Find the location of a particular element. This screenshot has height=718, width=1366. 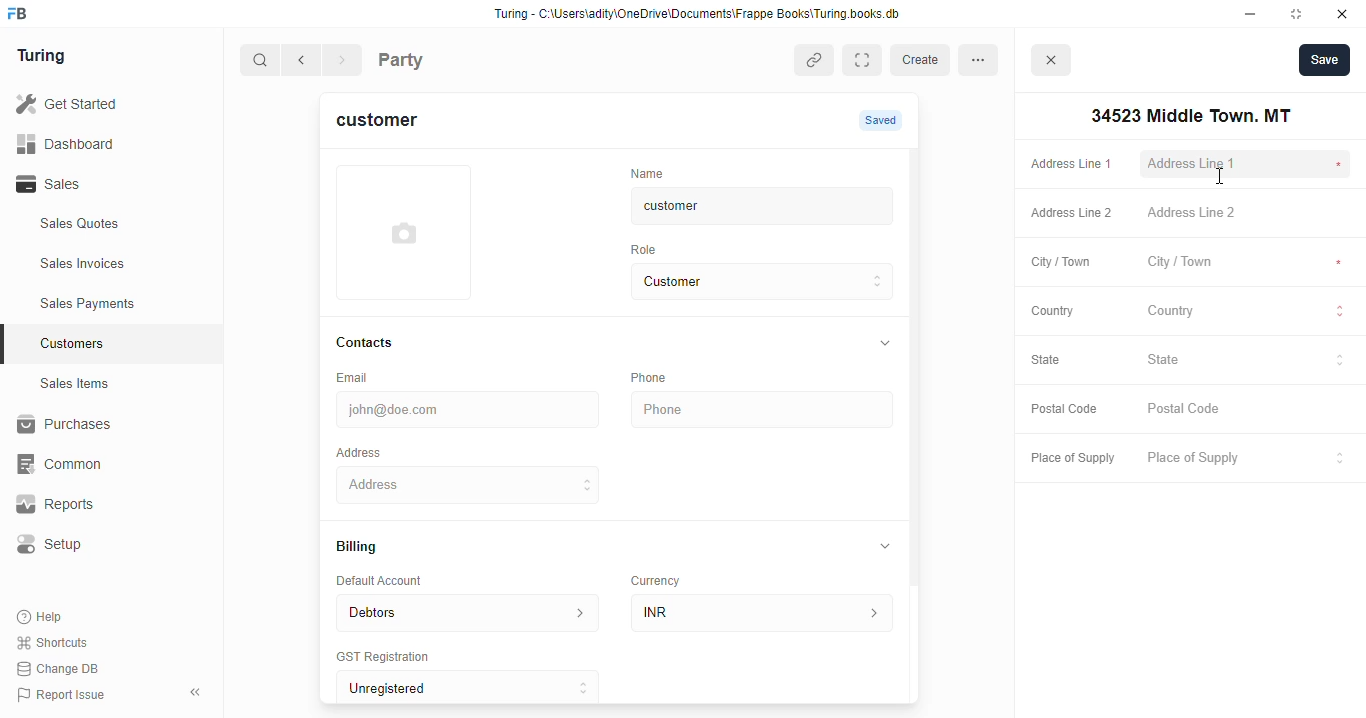

Expand is located at coordinates (866, 60).